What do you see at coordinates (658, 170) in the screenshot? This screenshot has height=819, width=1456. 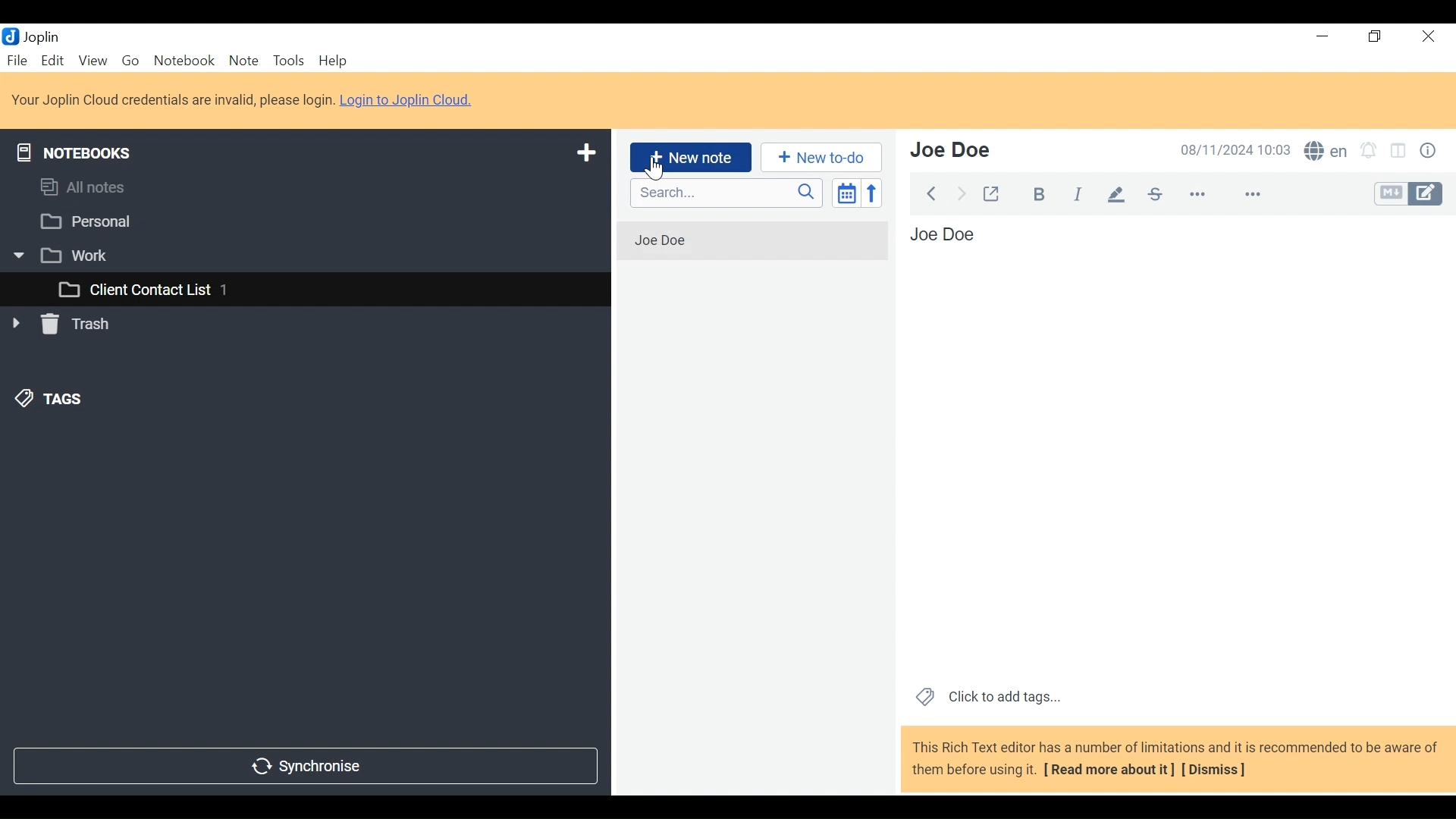 I see `Cursor` at bounding box center [658, 170].